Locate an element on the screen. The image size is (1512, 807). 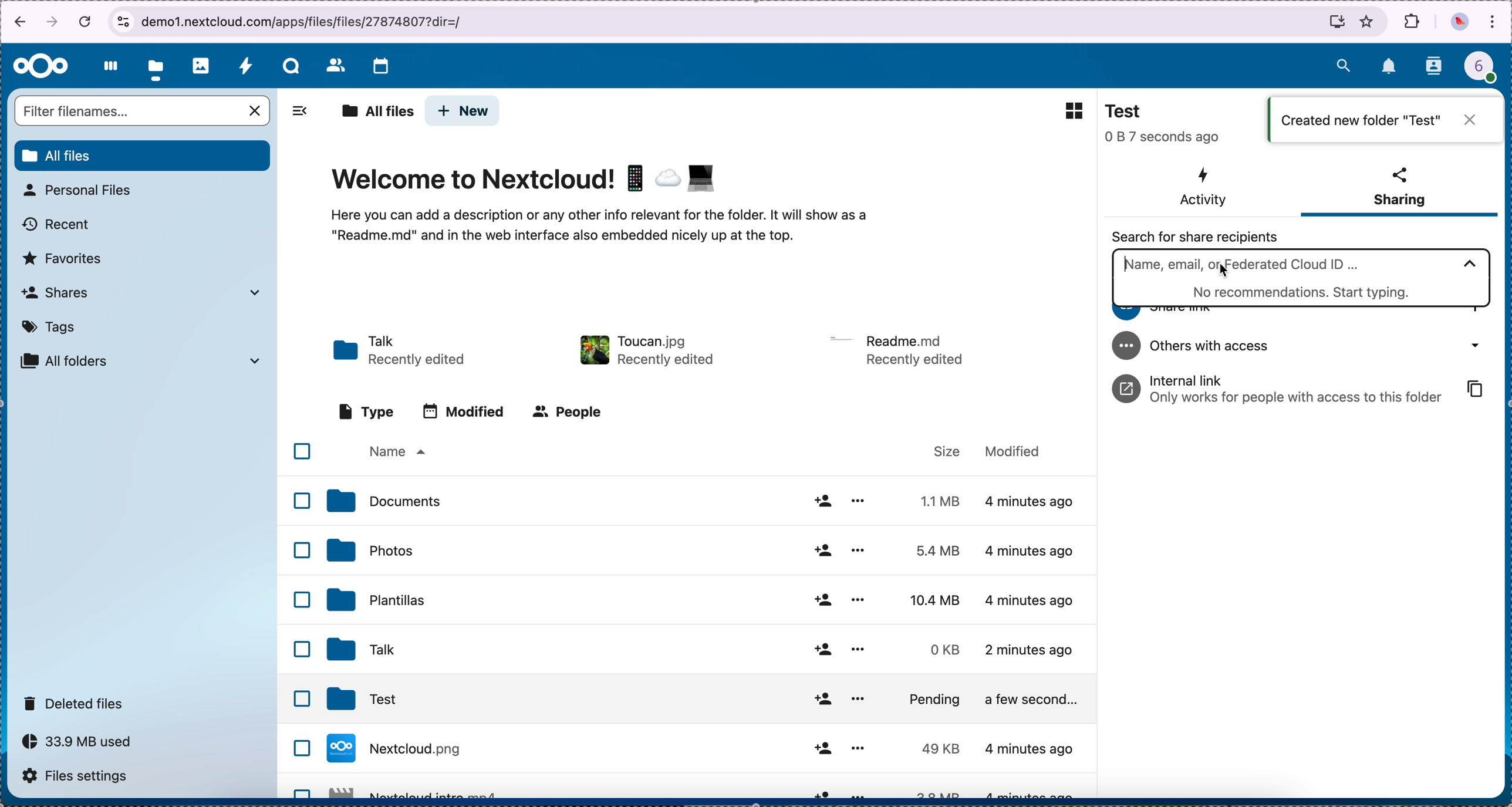
Nextcloud logo is located at coordinates (41, 67).